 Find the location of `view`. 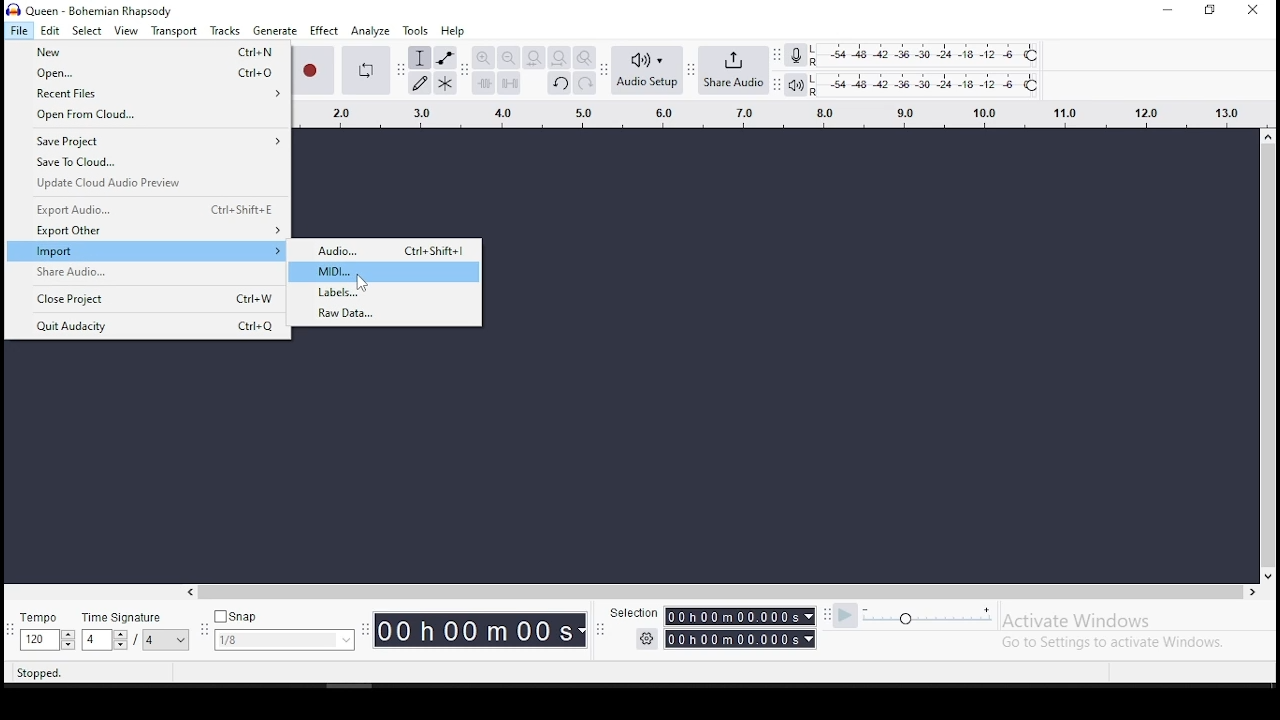

view is located at coordinates (127, 31).